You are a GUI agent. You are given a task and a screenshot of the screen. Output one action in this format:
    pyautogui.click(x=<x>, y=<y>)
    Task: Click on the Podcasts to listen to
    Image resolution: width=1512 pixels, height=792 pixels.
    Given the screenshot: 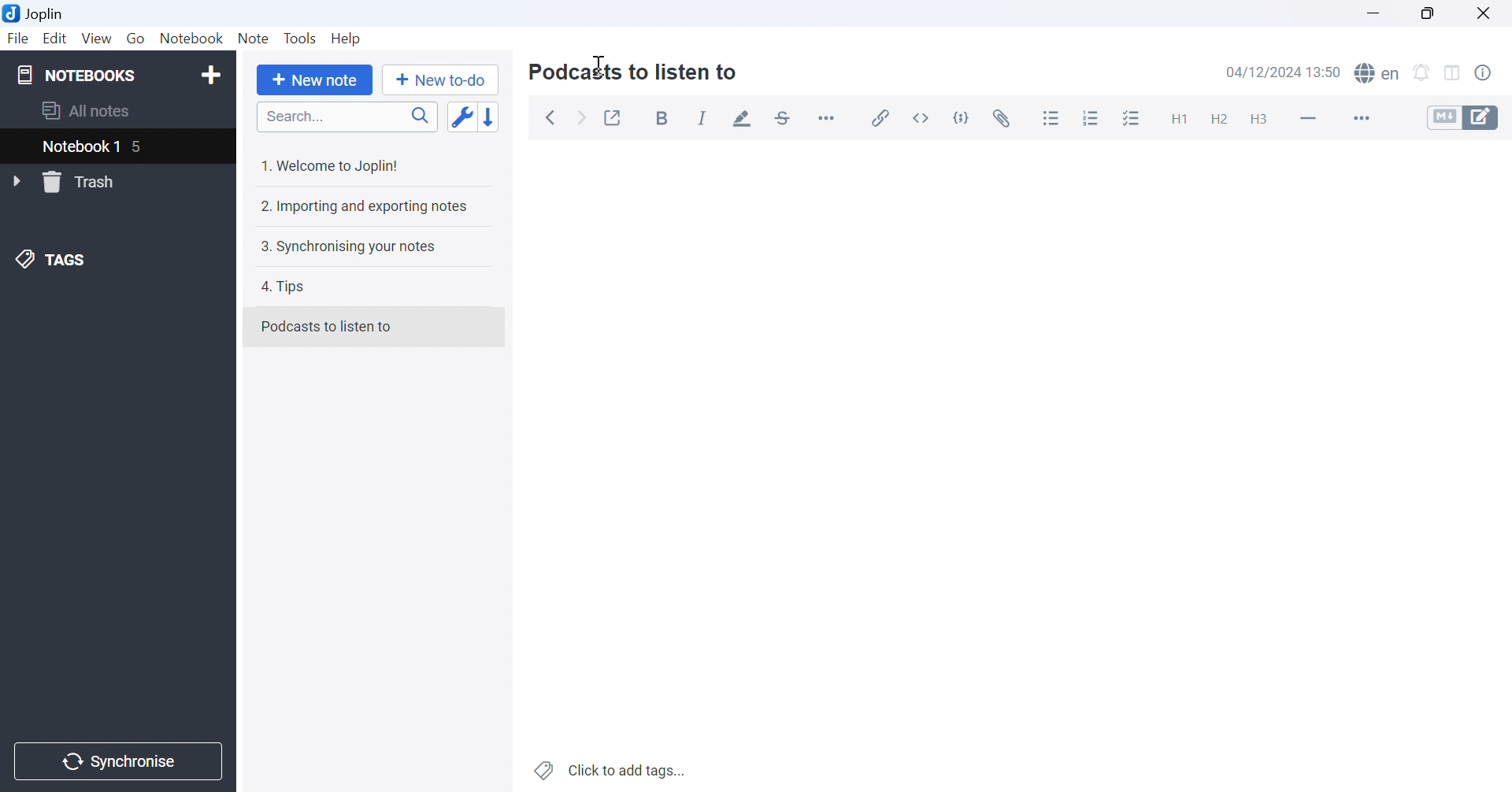 What is the action you would take?
    pyautogui.click(x=328, y=325)
    